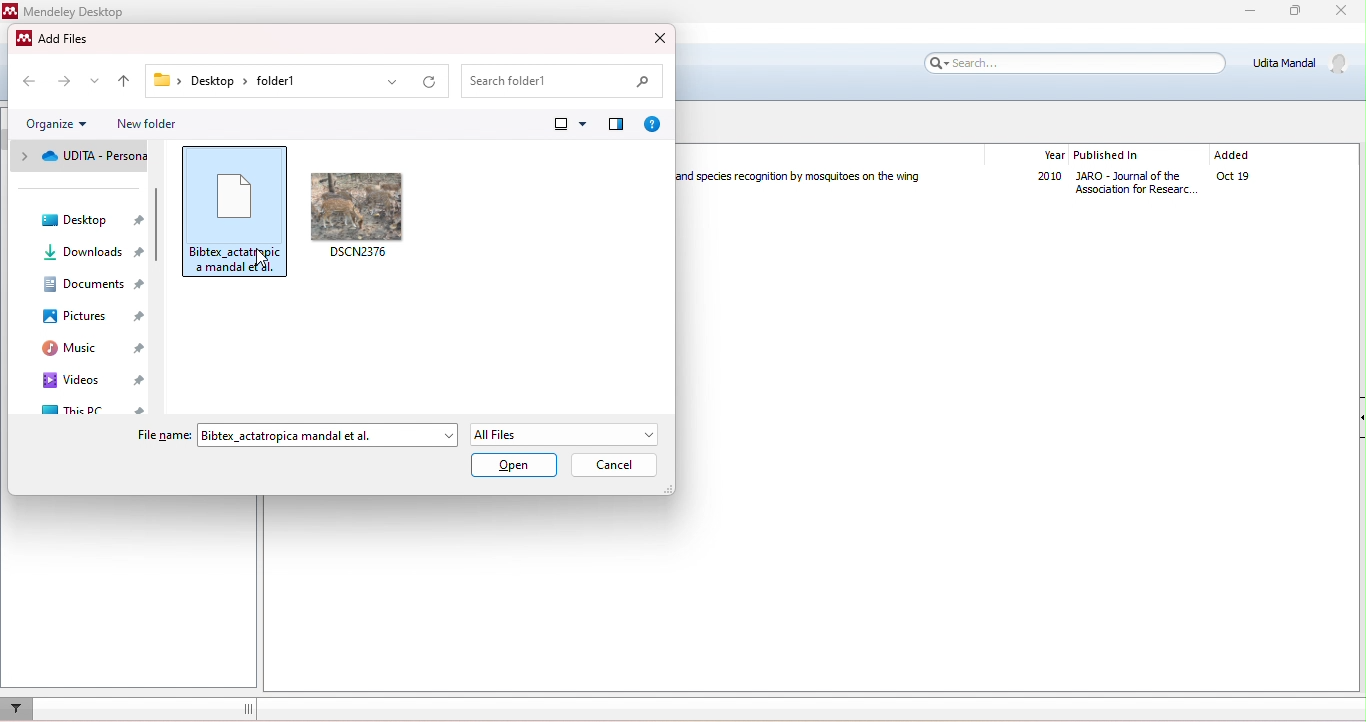 This screenshot has height=722, width=1366. What do you see at coordinates (430, 82) in the screenshot?
I see `refresh` at bounding box center [430, 82].